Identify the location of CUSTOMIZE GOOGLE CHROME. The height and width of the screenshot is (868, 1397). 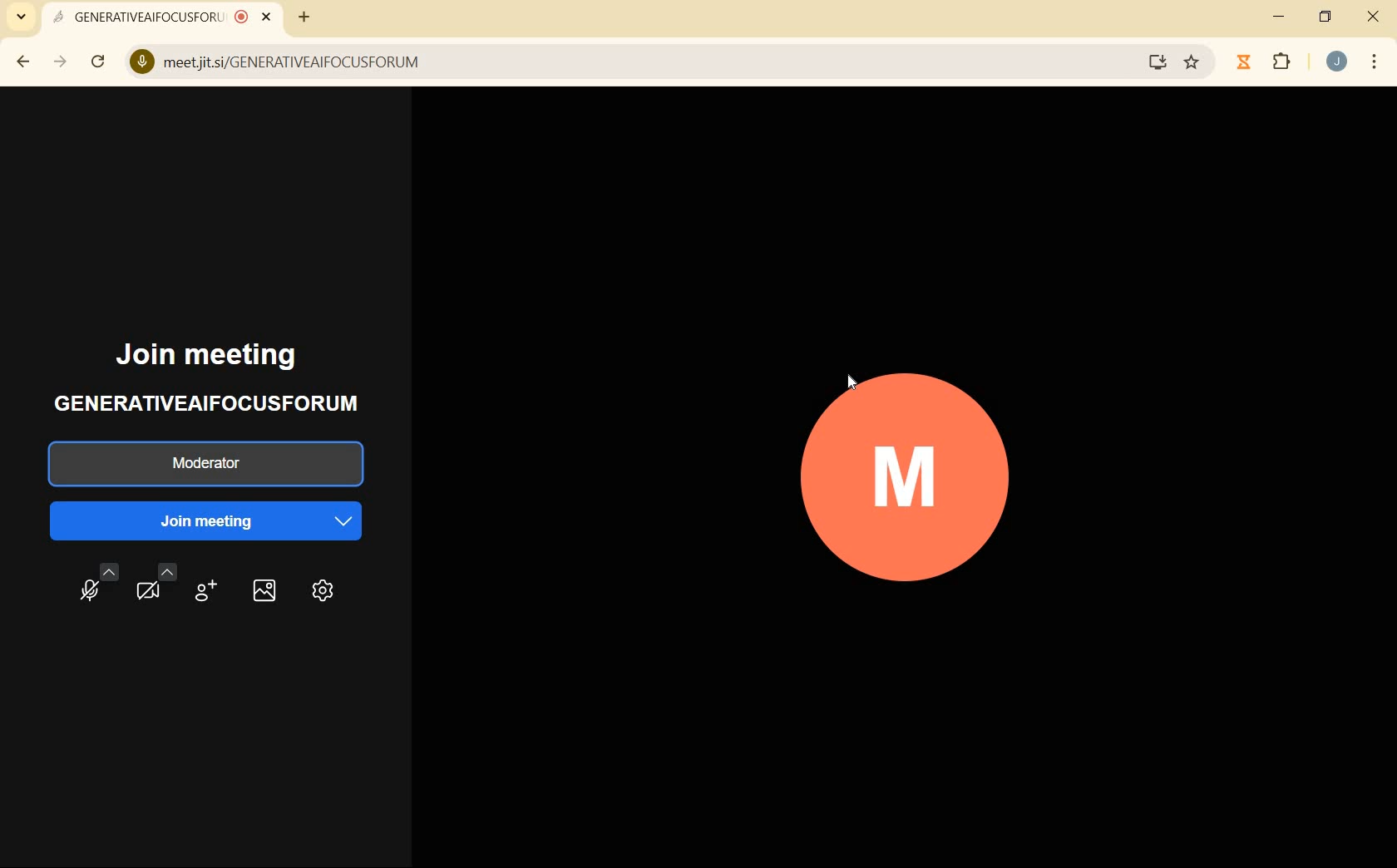
(1374, 62).